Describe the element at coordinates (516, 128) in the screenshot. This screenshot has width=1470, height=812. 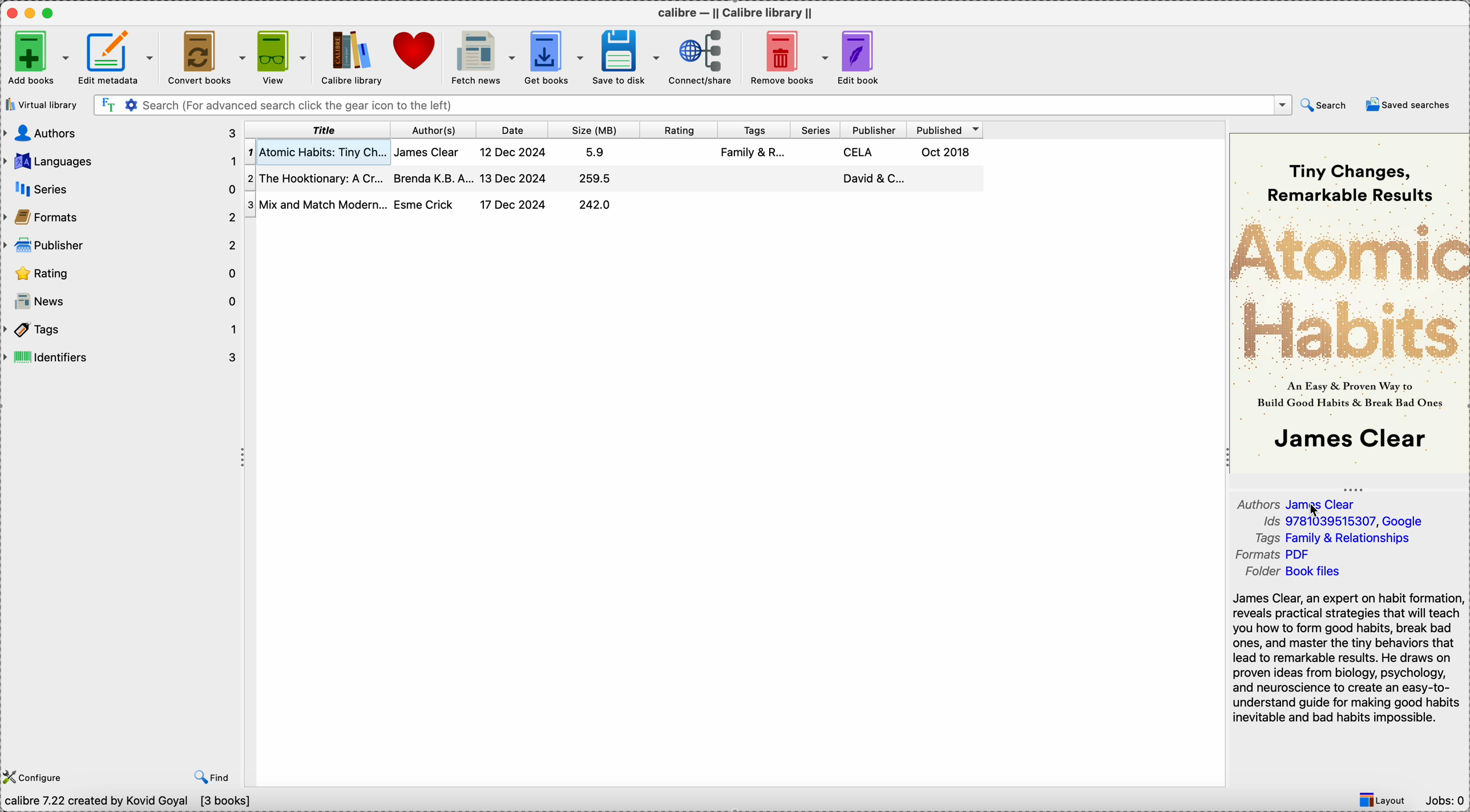
I see `date` at that location.